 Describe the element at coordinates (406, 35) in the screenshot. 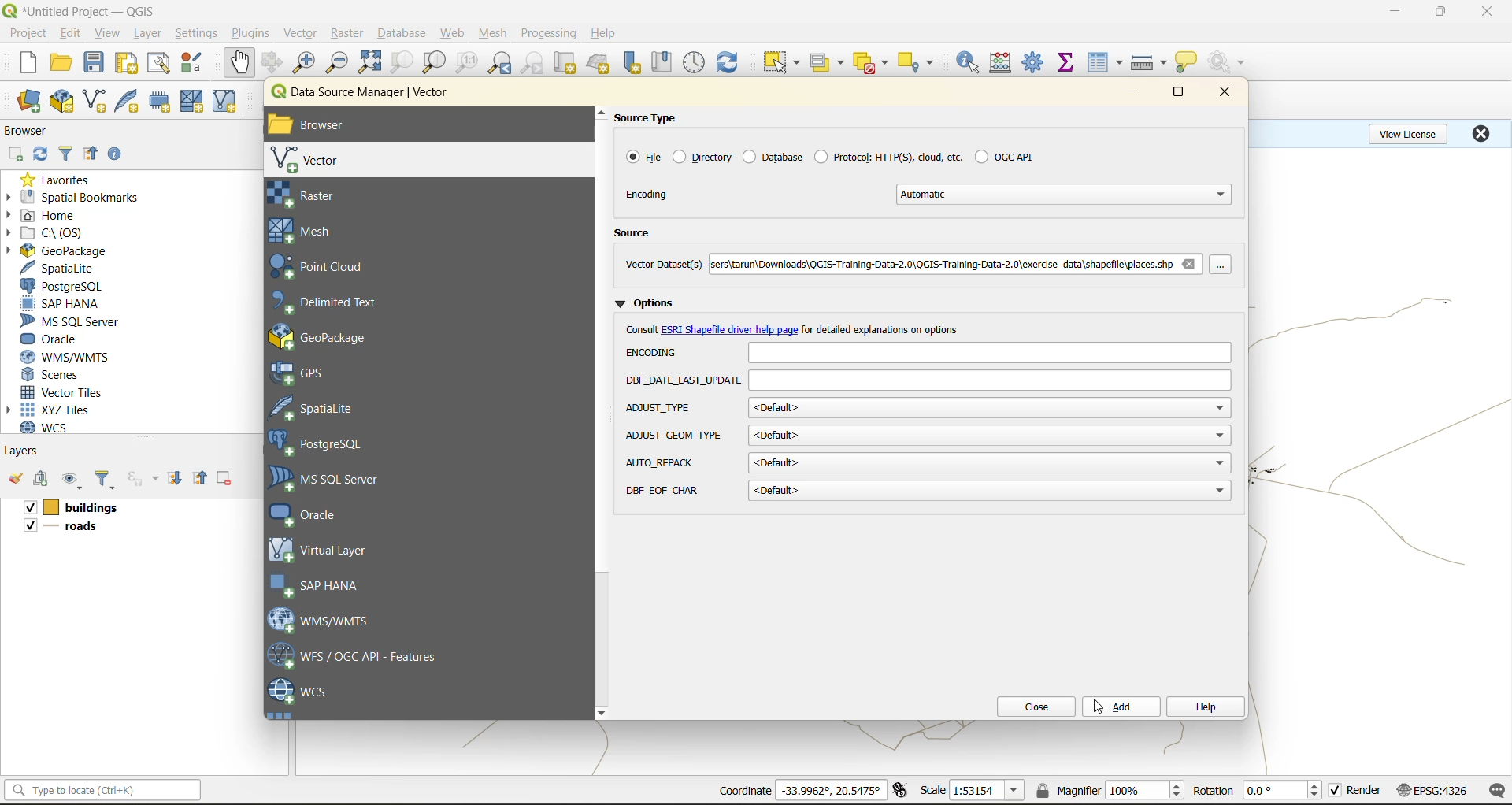

I see `database` at that location.